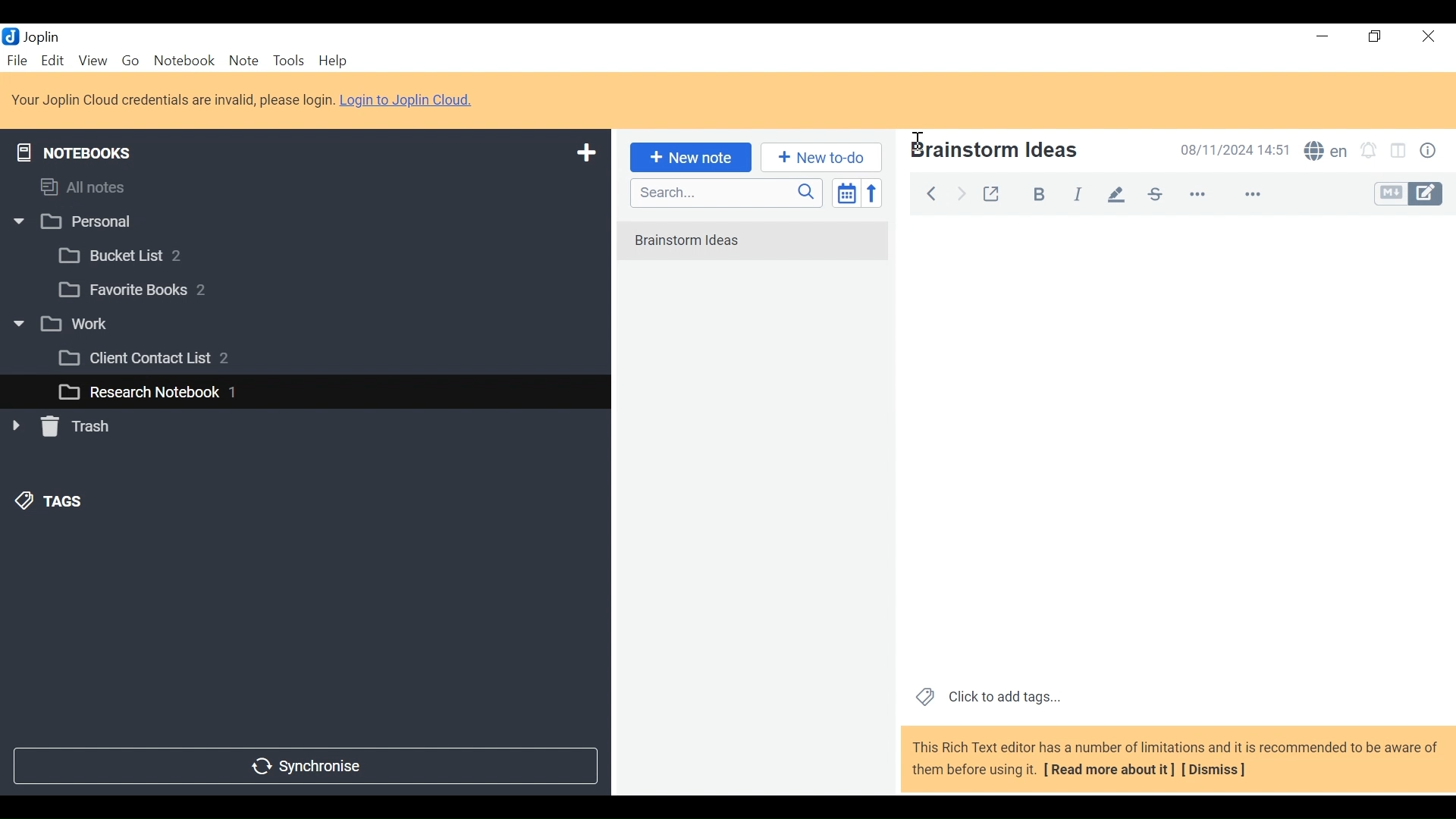 The width and height of the screenshot is (1456, 819). Describe the element at coordinates (411, 100) in the screenshot. I see `Login to Joplin Cloud` at that location.